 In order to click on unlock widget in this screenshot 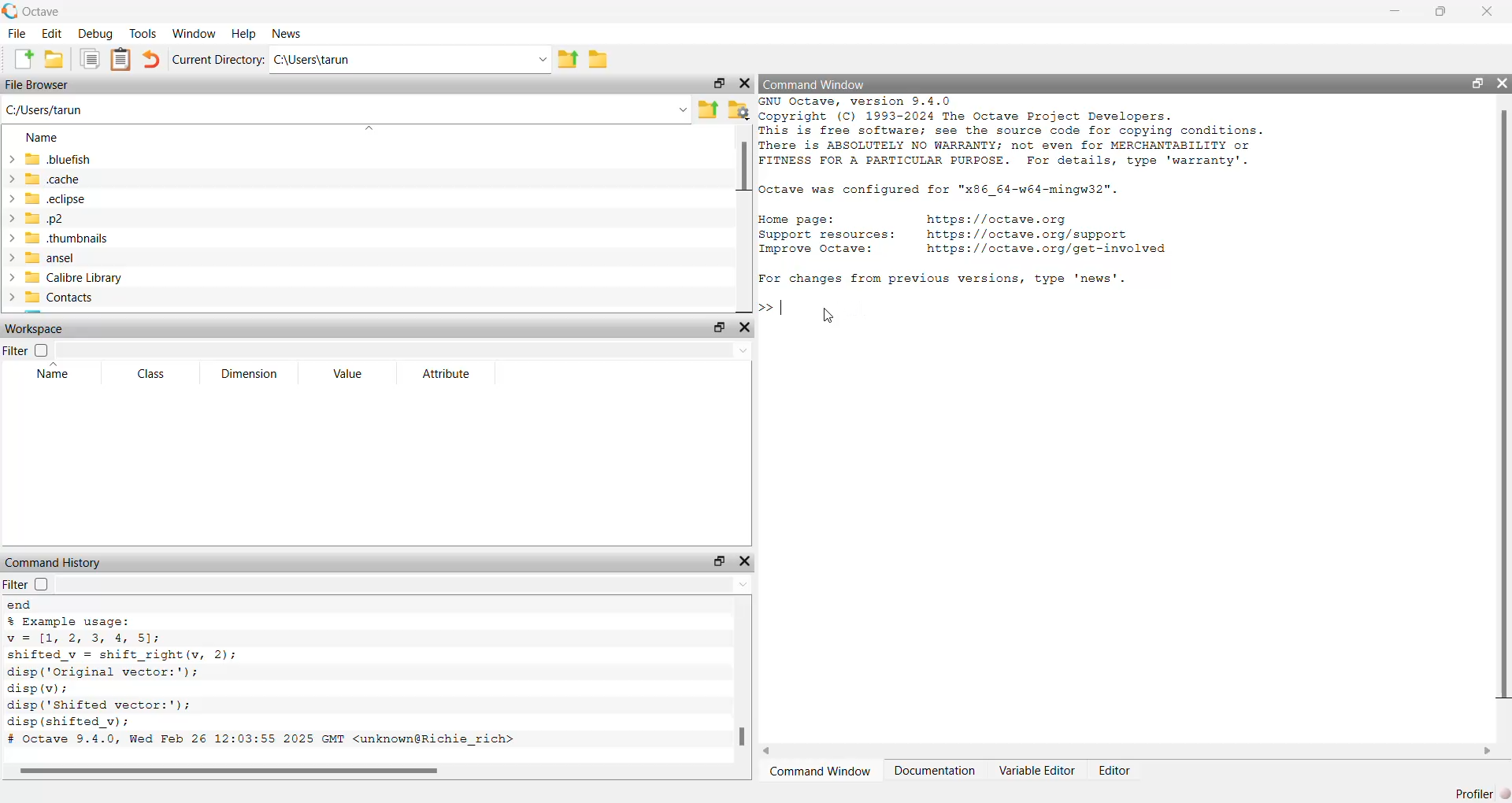, I will do `click(716, 327)`.